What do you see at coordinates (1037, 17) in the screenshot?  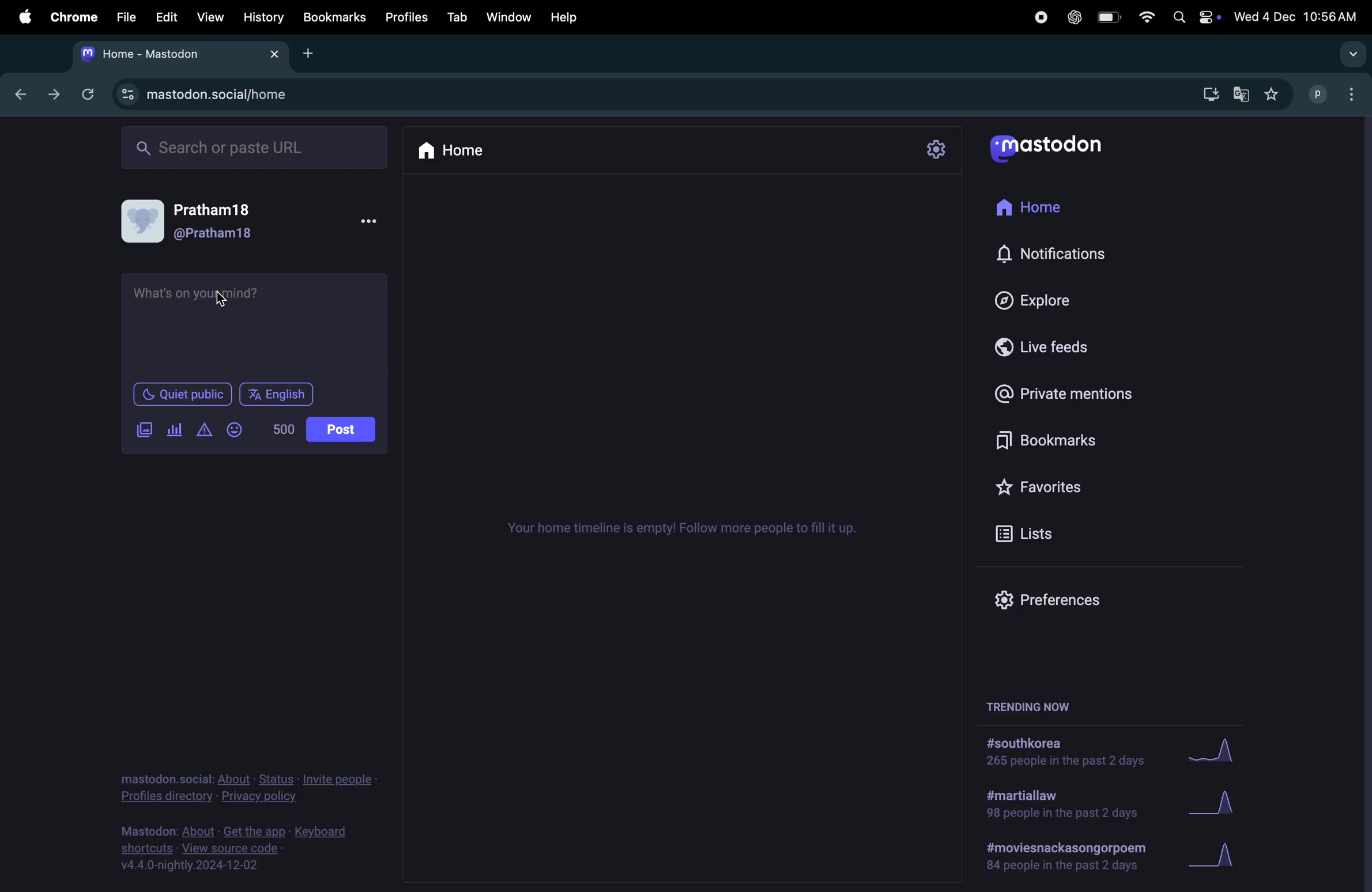 I see `record` at bounding box center [1037, 17].